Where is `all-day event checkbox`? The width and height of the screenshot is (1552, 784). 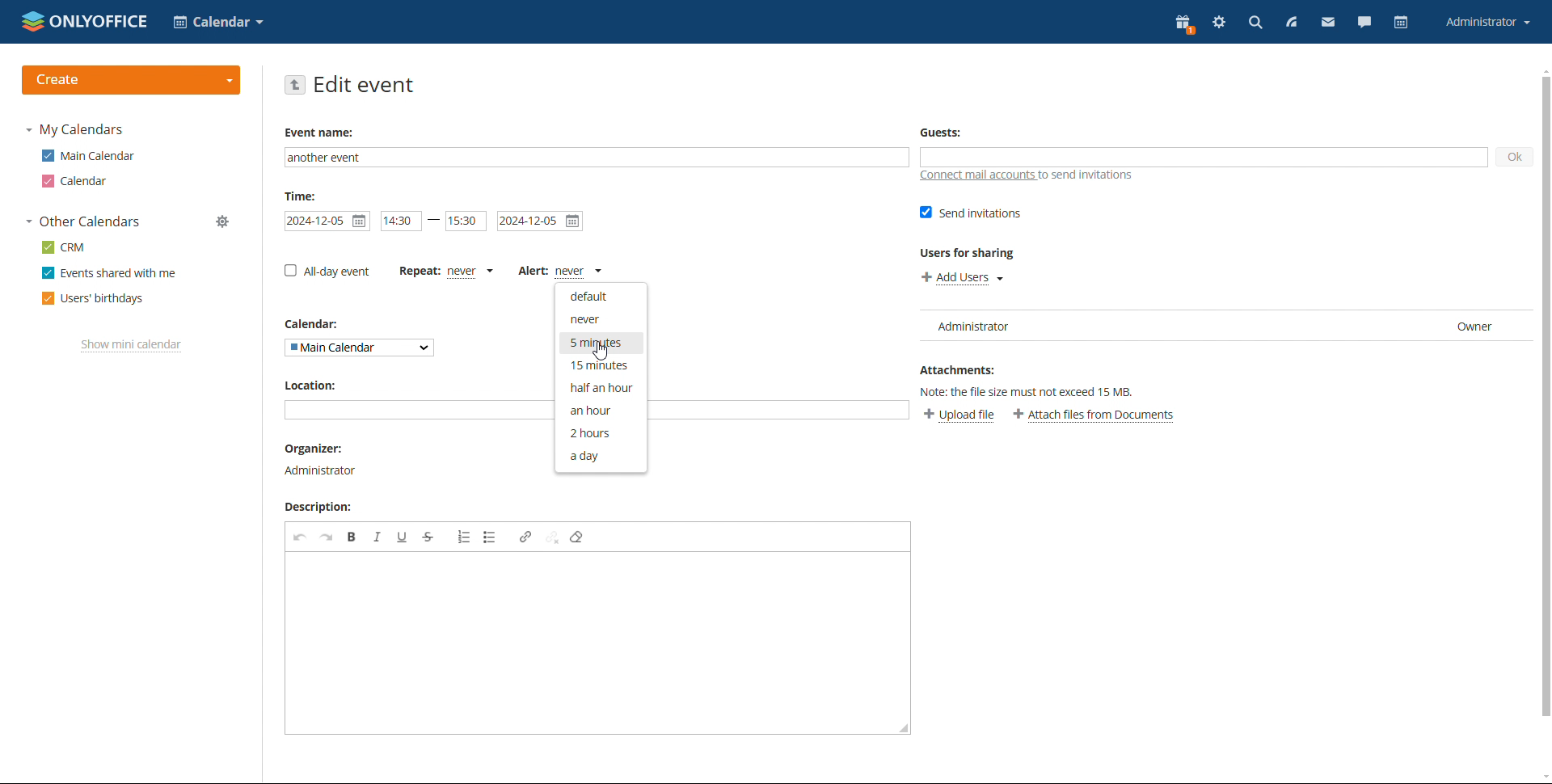 all-day event checkbox is located at coordinates (327, 271).